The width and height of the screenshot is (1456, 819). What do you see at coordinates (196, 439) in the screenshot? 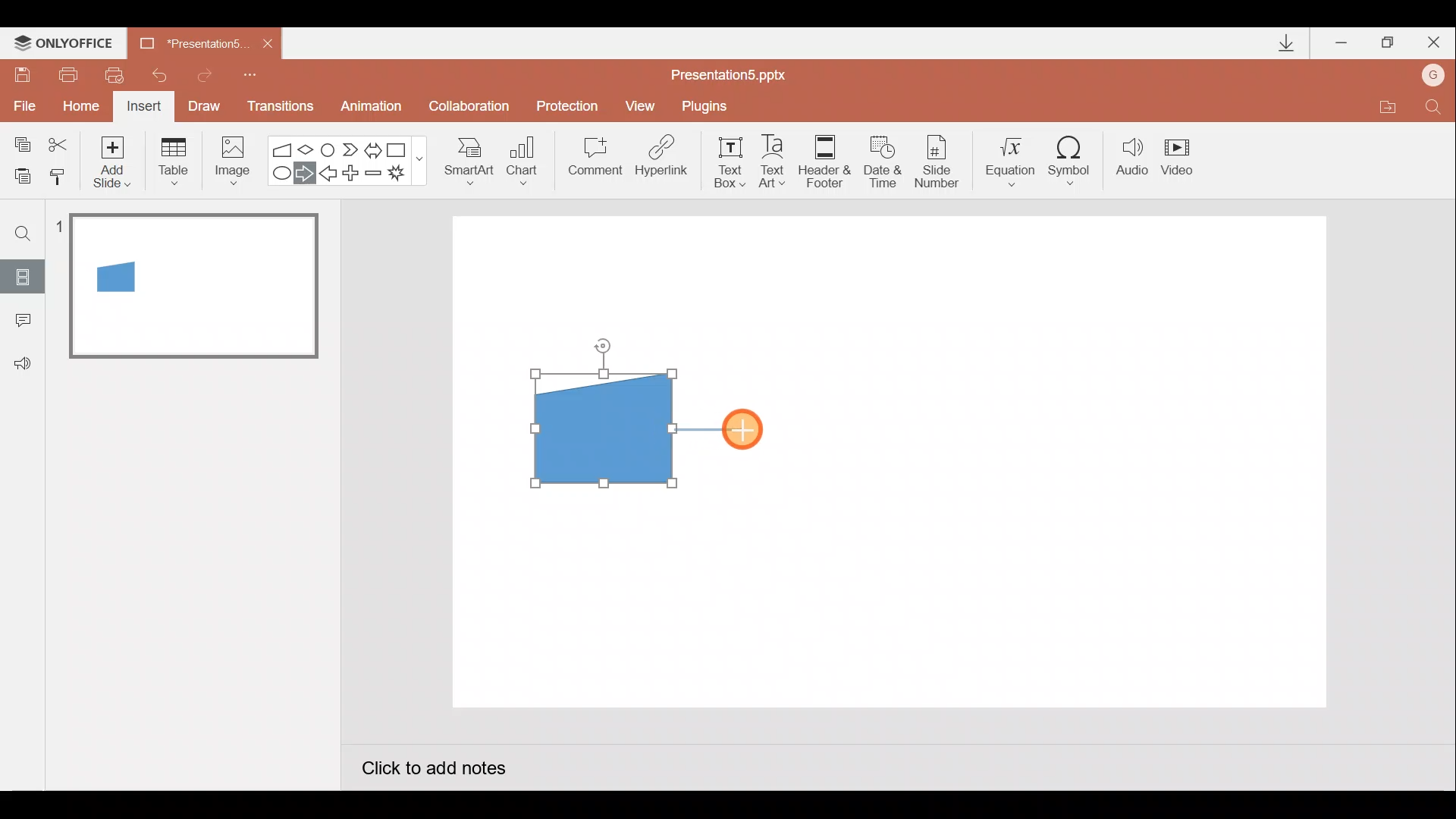
I see `Slide pane` at bounding box center [196, 439].